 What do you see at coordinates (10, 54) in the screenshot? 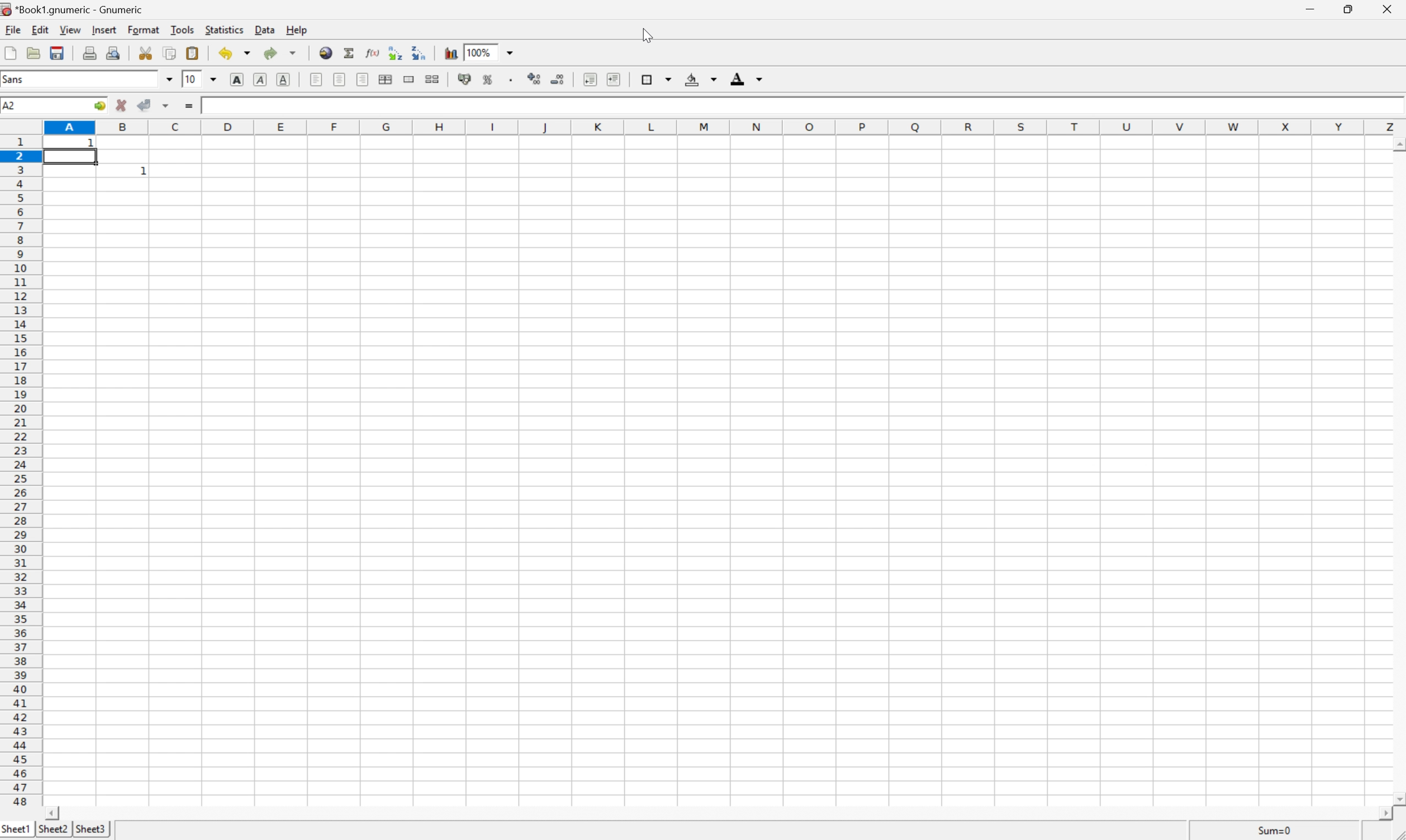
I see `create a new workbook` at bounding box center [10, 54].